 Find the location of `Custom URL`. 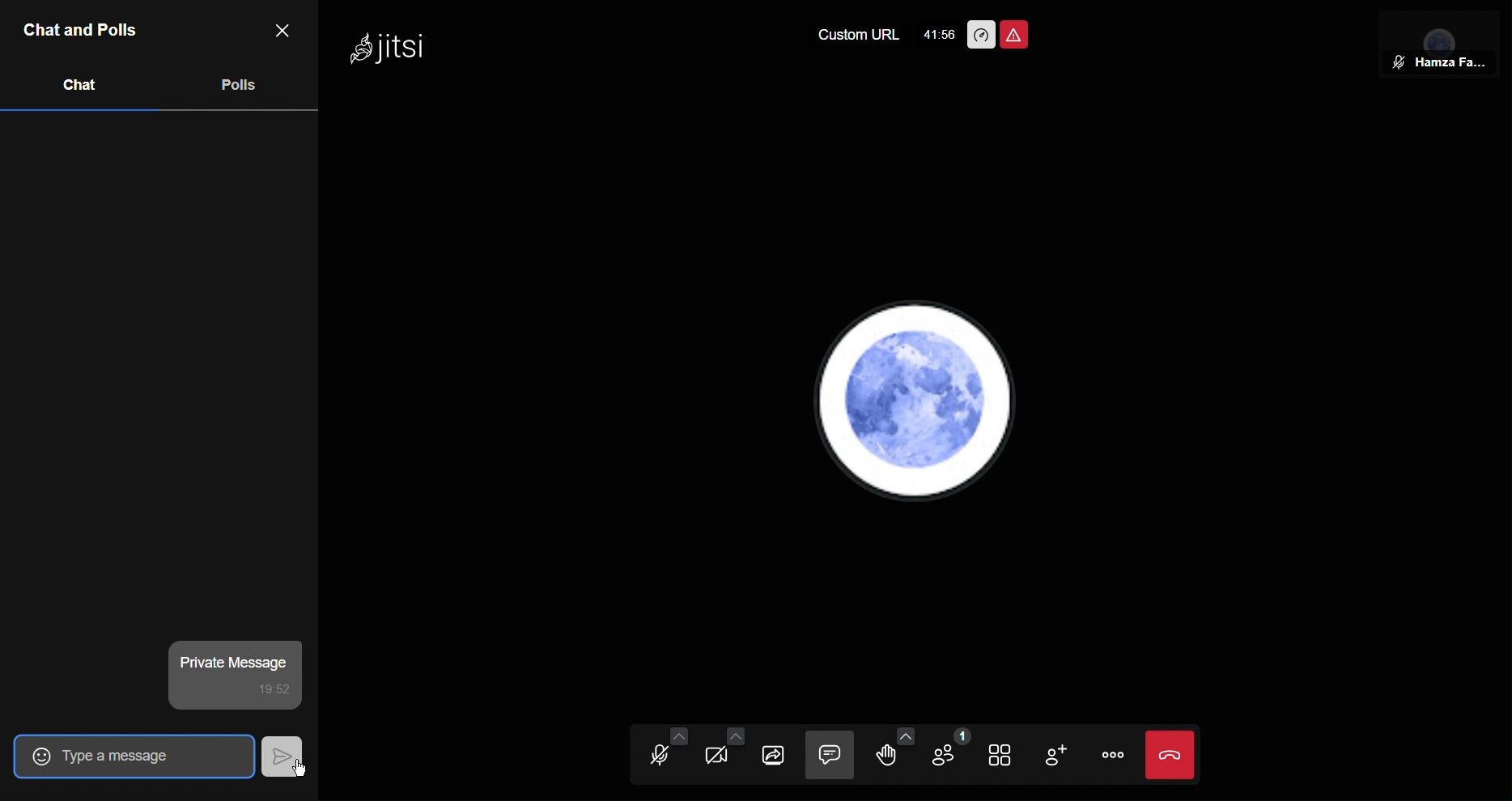

Custom URL is located at coordinates (856, 32).